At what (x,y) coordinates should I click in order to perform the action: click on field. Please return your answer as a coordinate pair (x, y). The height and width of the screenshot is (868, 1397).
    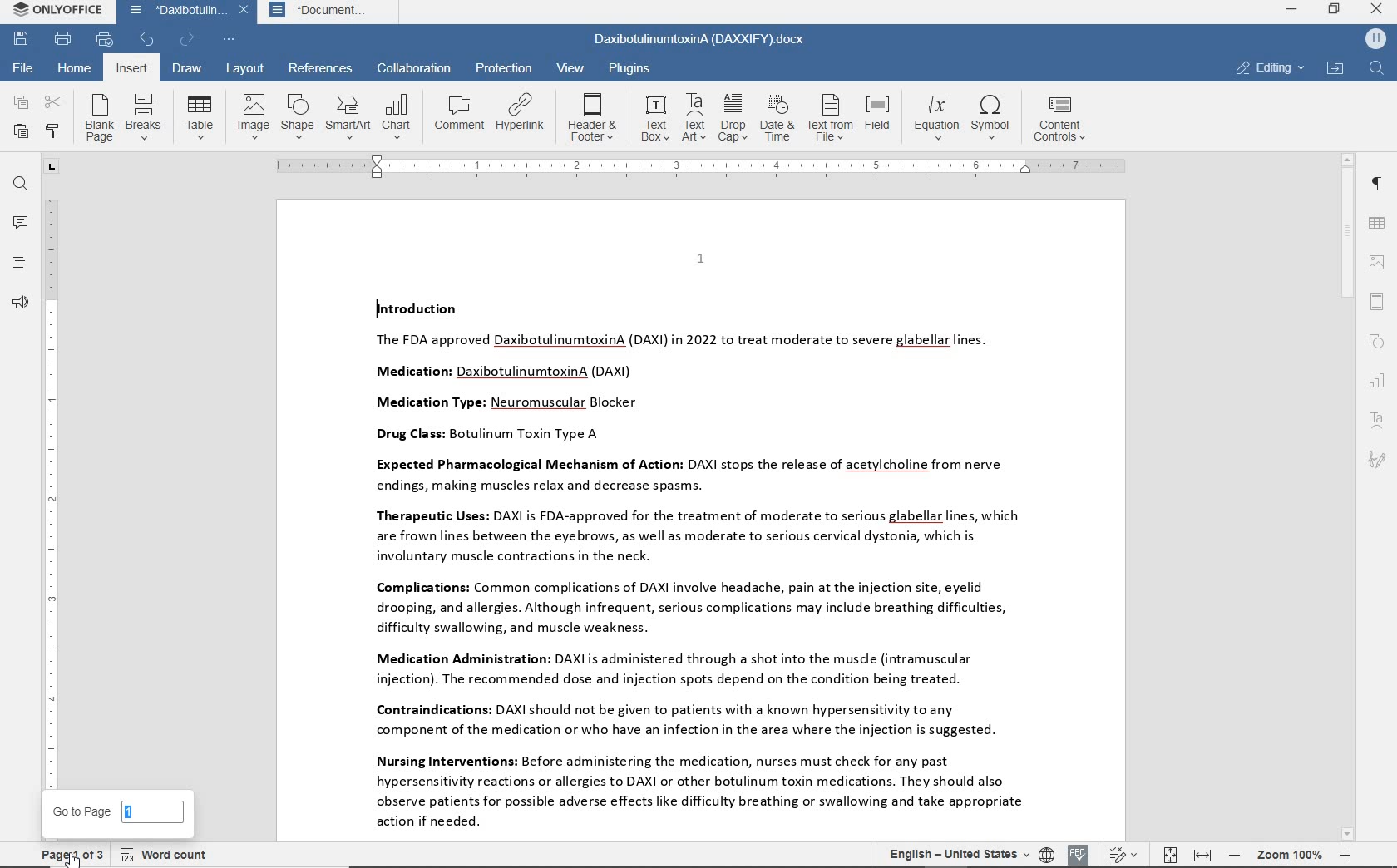
    Looking at the image, I should click on (879, 119).